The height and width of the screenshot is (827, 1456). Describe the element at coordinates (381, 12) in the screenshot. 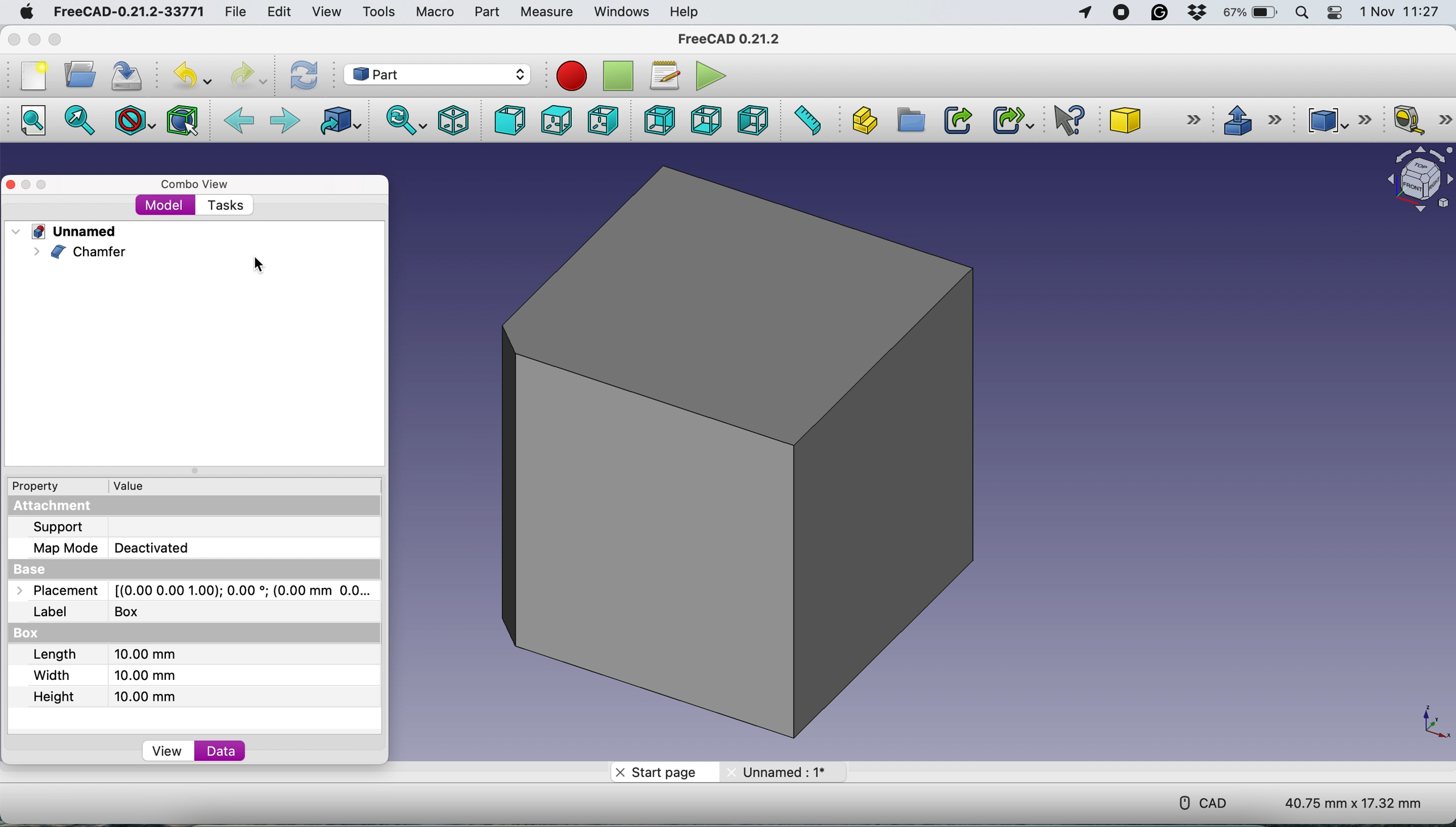

I see `tools` at that location.